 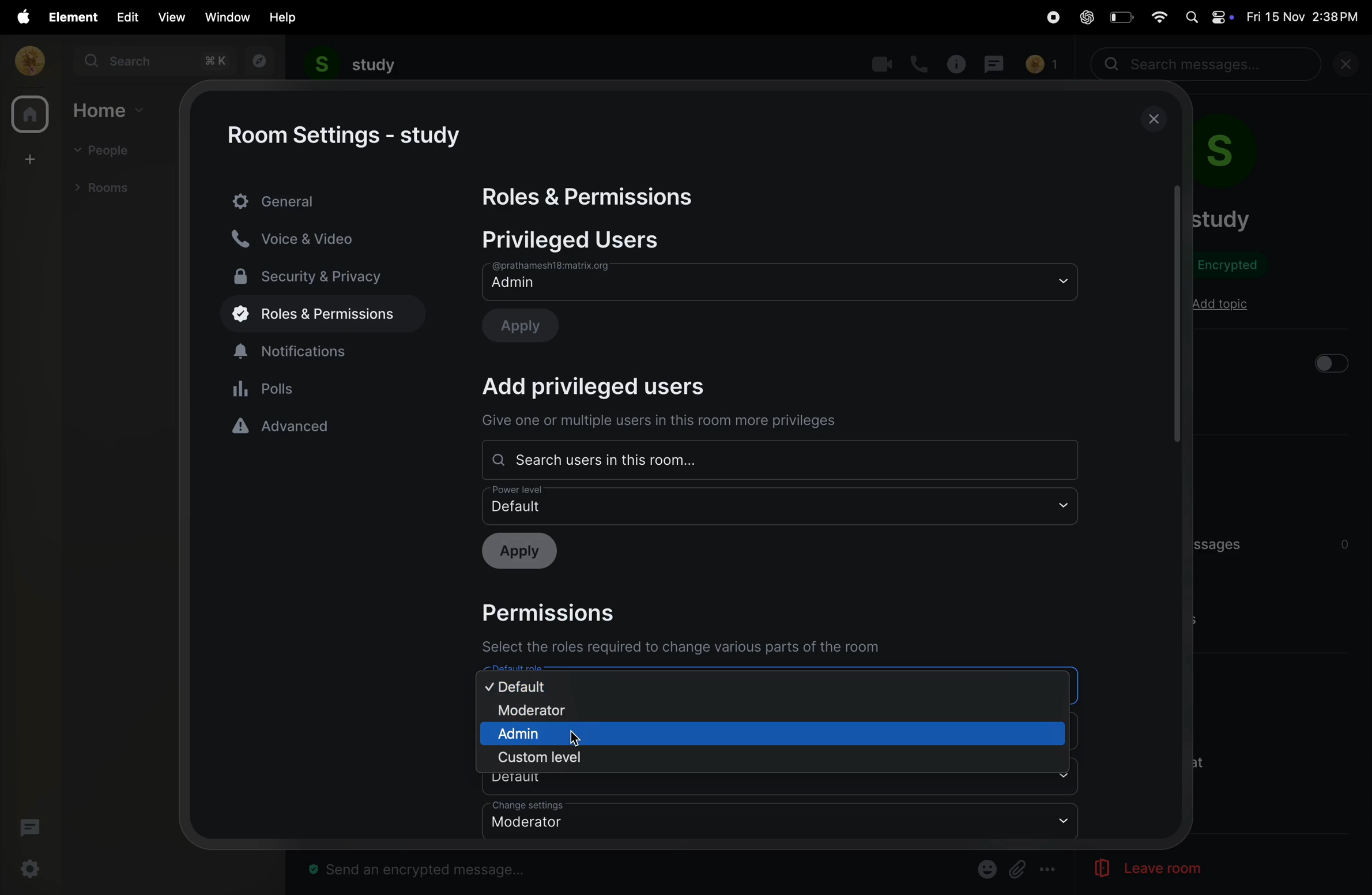 What do you see at coordinates (29, 116) in the screenshot?
I see `home ` at bounding box center [29, 116].